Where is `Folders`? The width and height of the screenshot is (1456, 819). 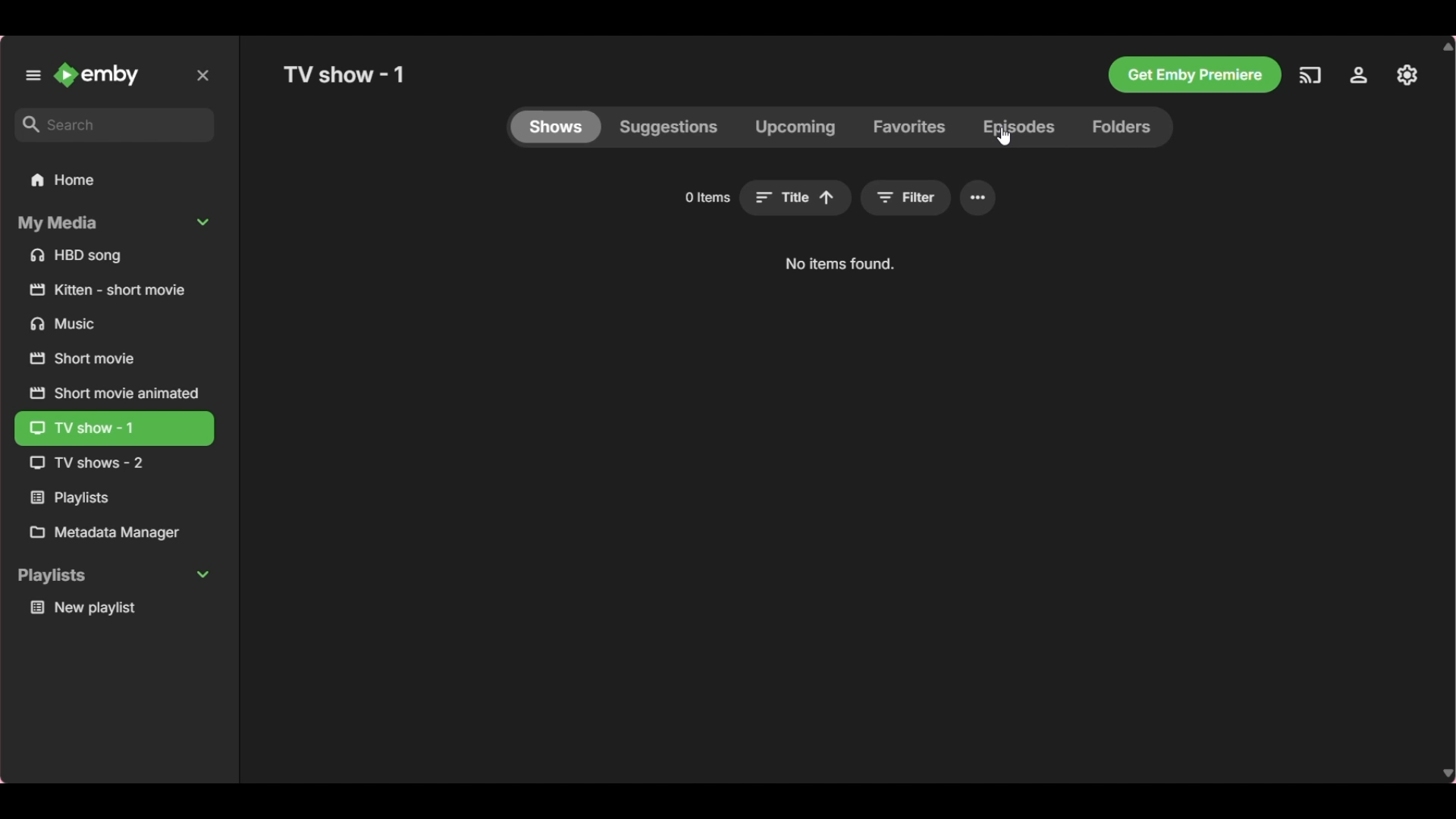
Folders is located at coordinates (1123, 127).